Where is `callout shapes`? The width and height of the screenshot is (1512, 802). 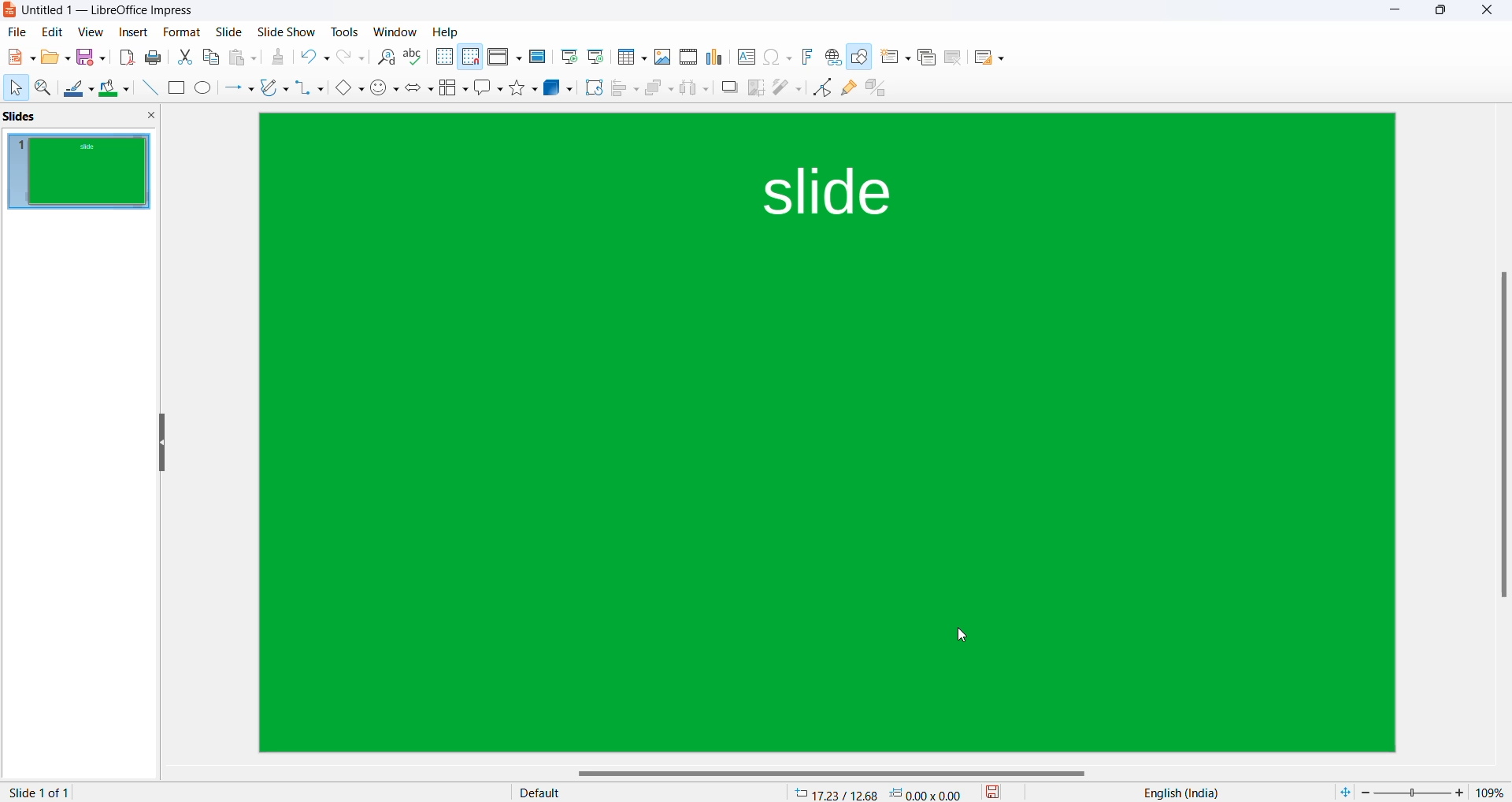 callout shapes is located at coordinates (490, 89).